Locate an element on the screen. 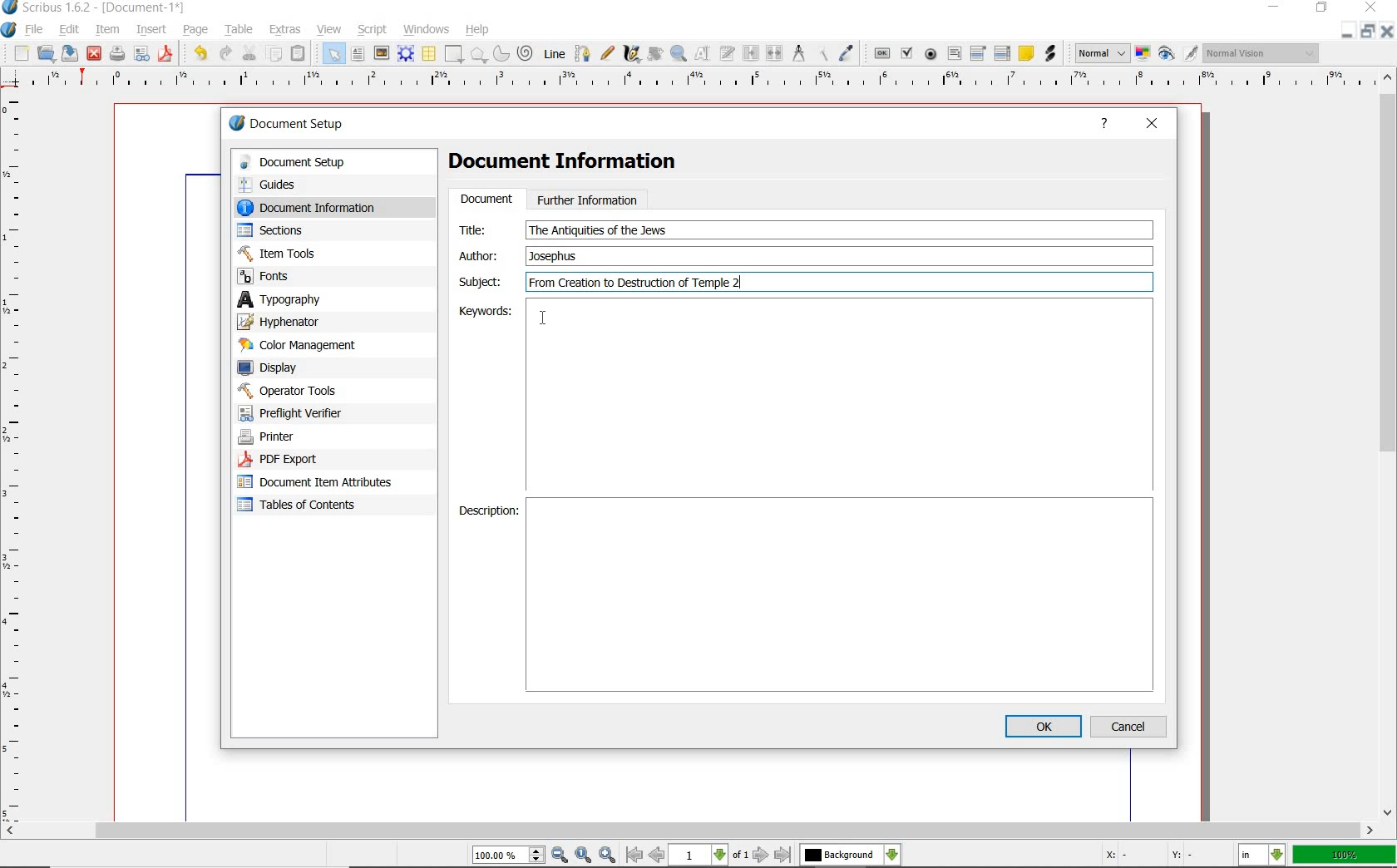 Image resolution: width=1397 pixels, height=868 pixels. tables of contents is located at coordinates (308, 506).